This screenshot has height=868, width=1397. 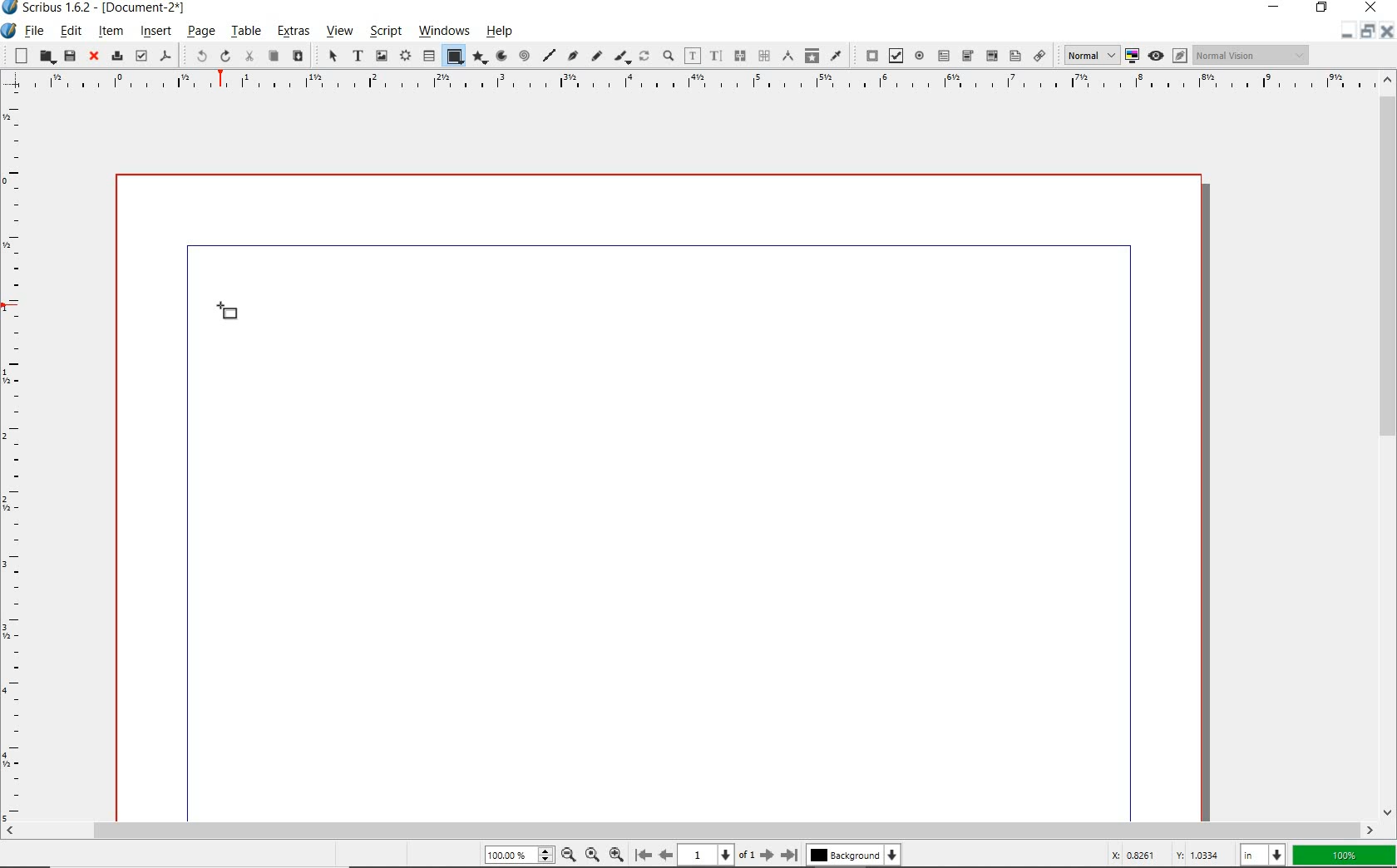 What do you see at coordinates (1370, 8) in the screenshot?
I see `close` at bounding box center [1370, 8].